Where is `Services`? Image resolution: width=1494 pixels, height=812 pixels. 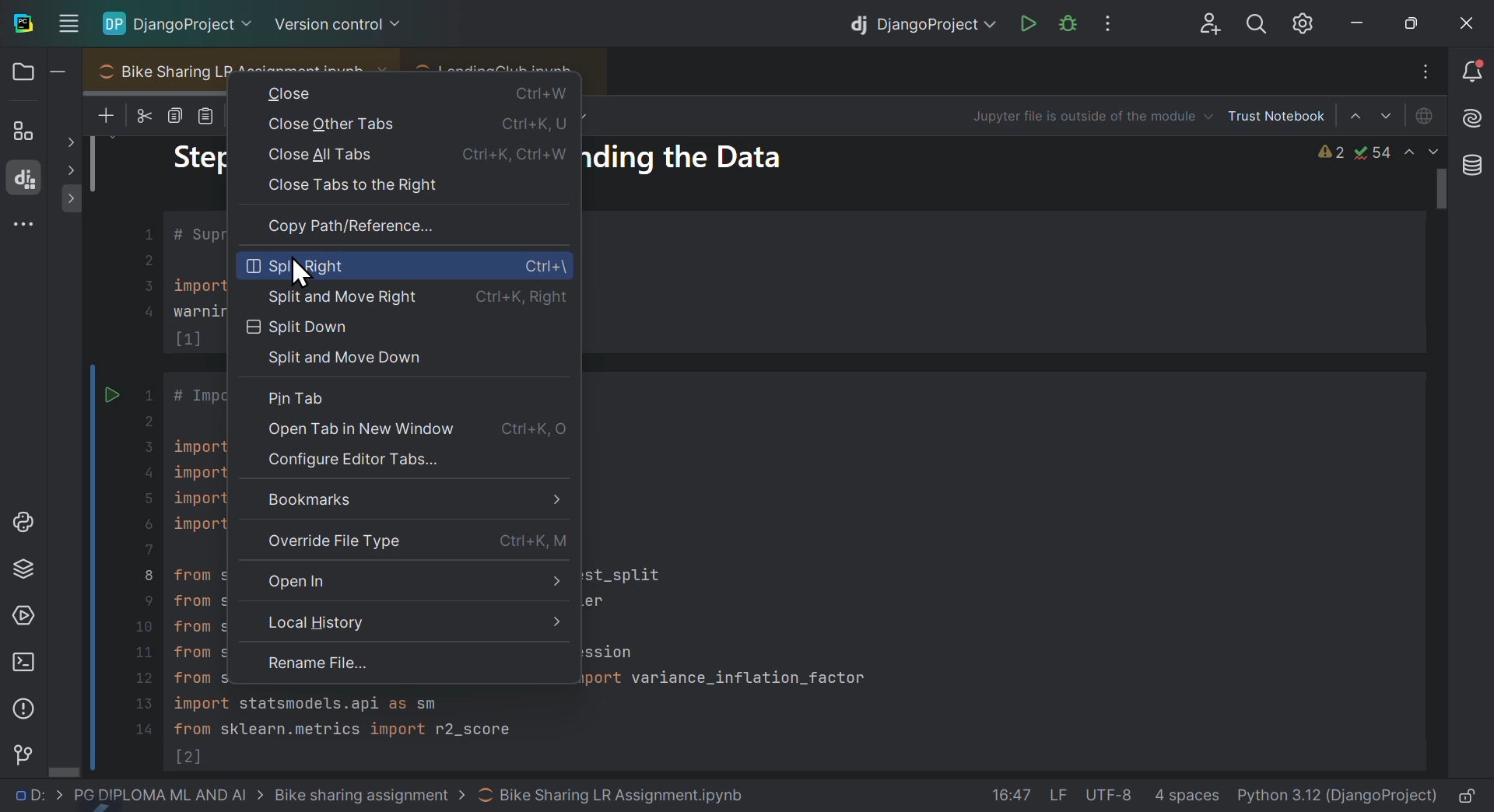
Services is located at coordinates (23, 619).